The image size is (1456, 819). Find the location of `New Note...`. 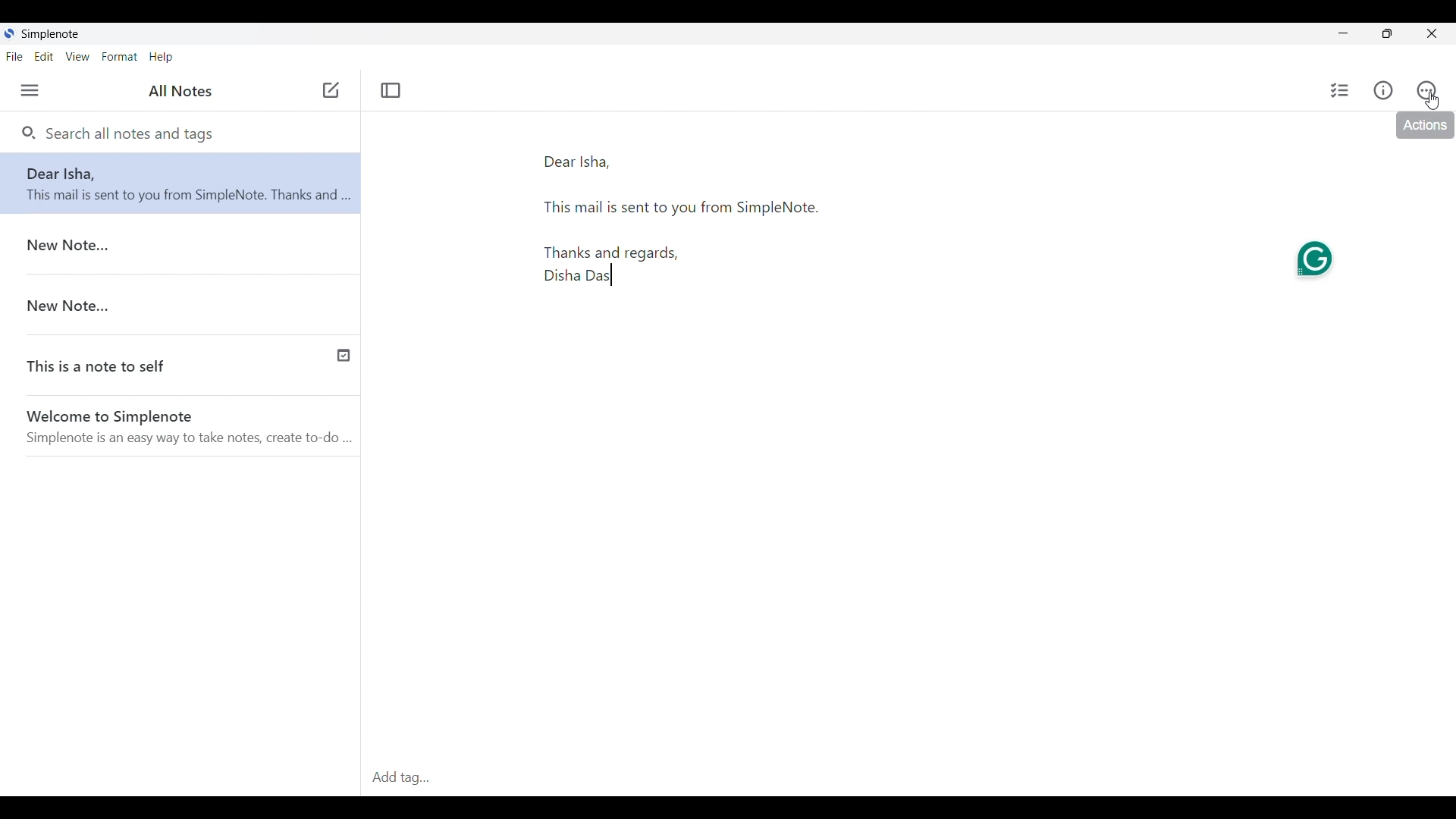

New Note... is located at coordinates (177, 298).